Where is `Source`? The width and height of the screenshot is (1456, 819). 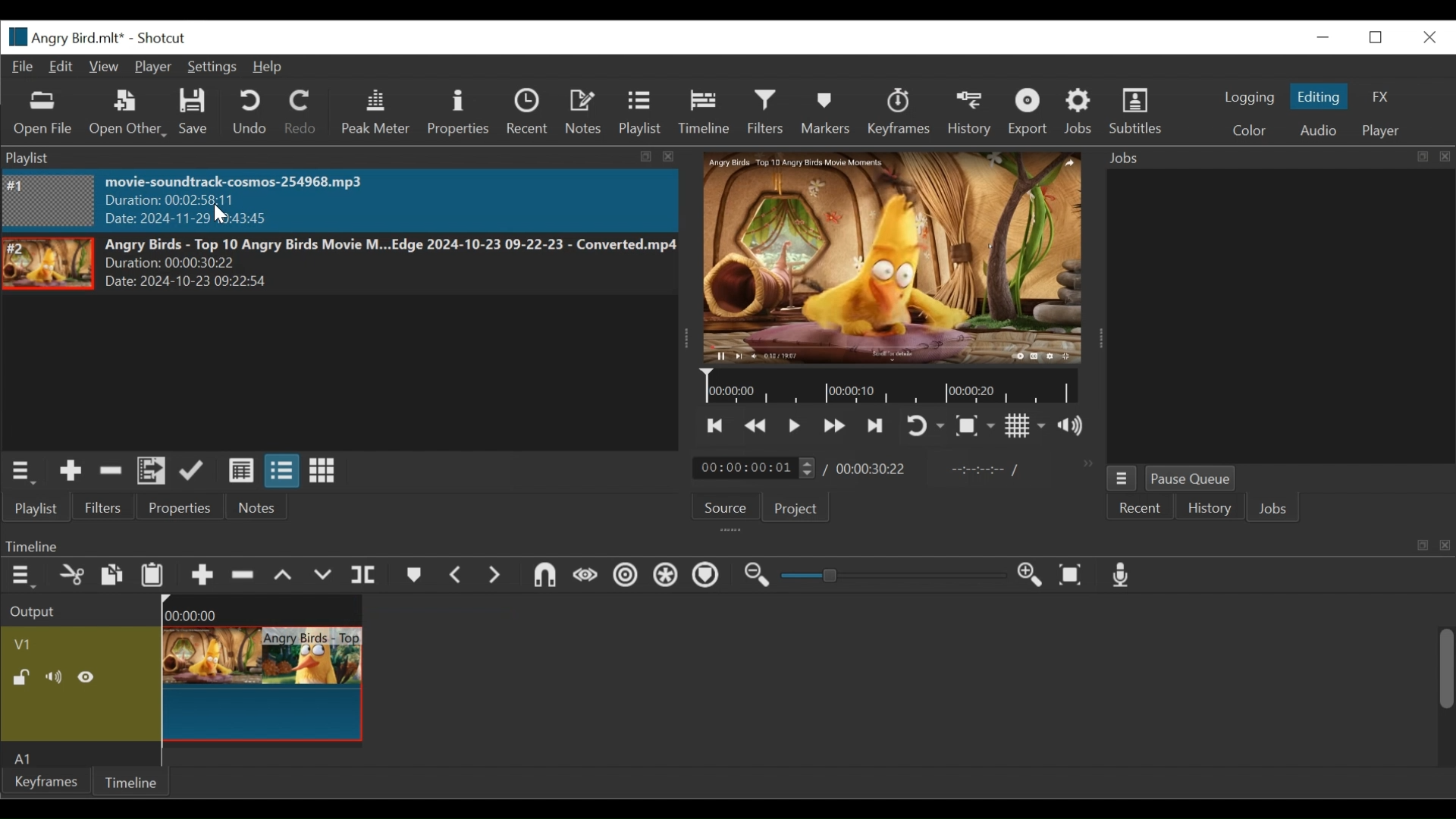
Source is located at coordinates (726, 508).